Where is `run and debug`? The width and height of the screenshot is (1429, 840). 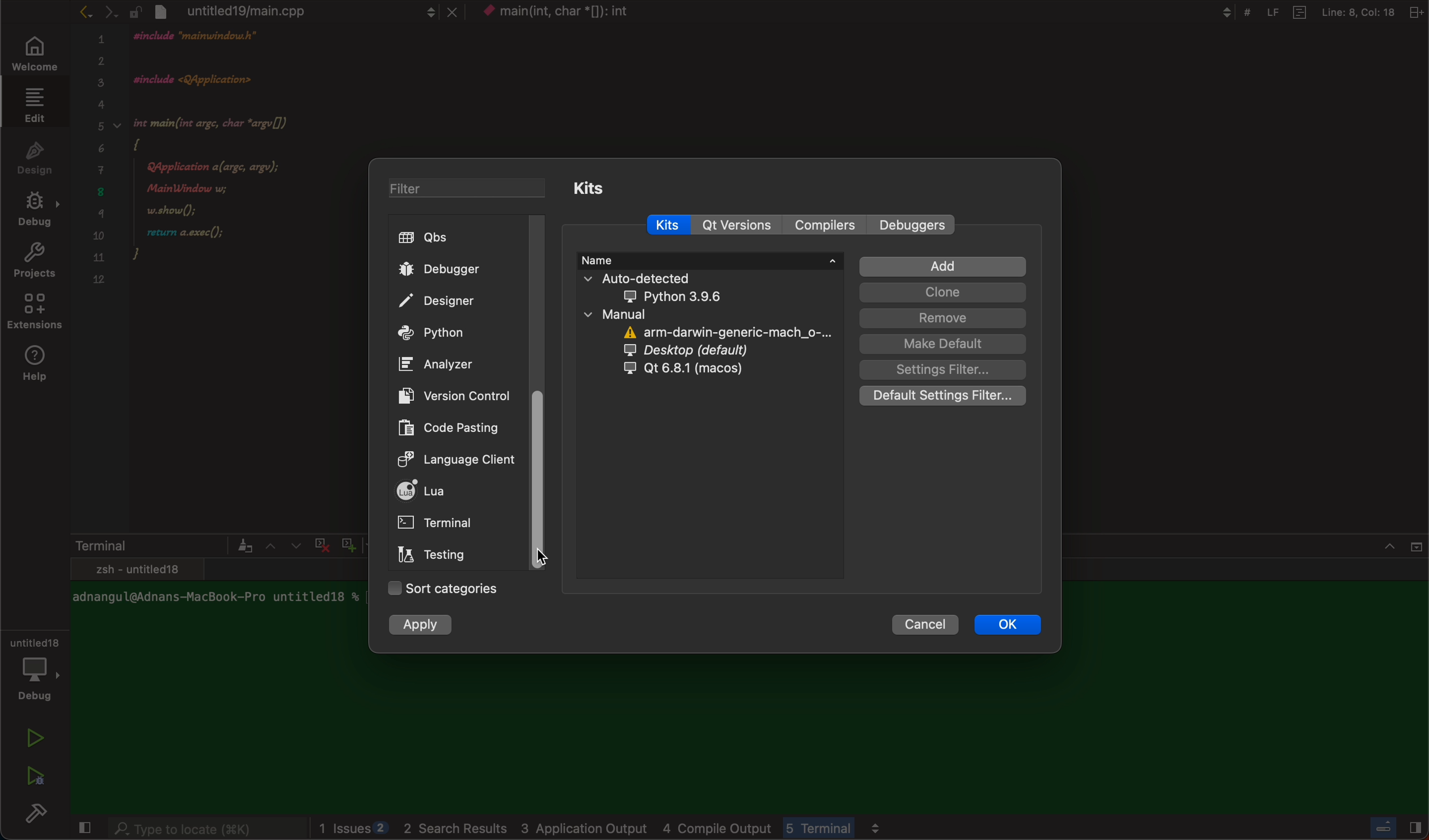
run and debug is located at coordinates (34, 775).